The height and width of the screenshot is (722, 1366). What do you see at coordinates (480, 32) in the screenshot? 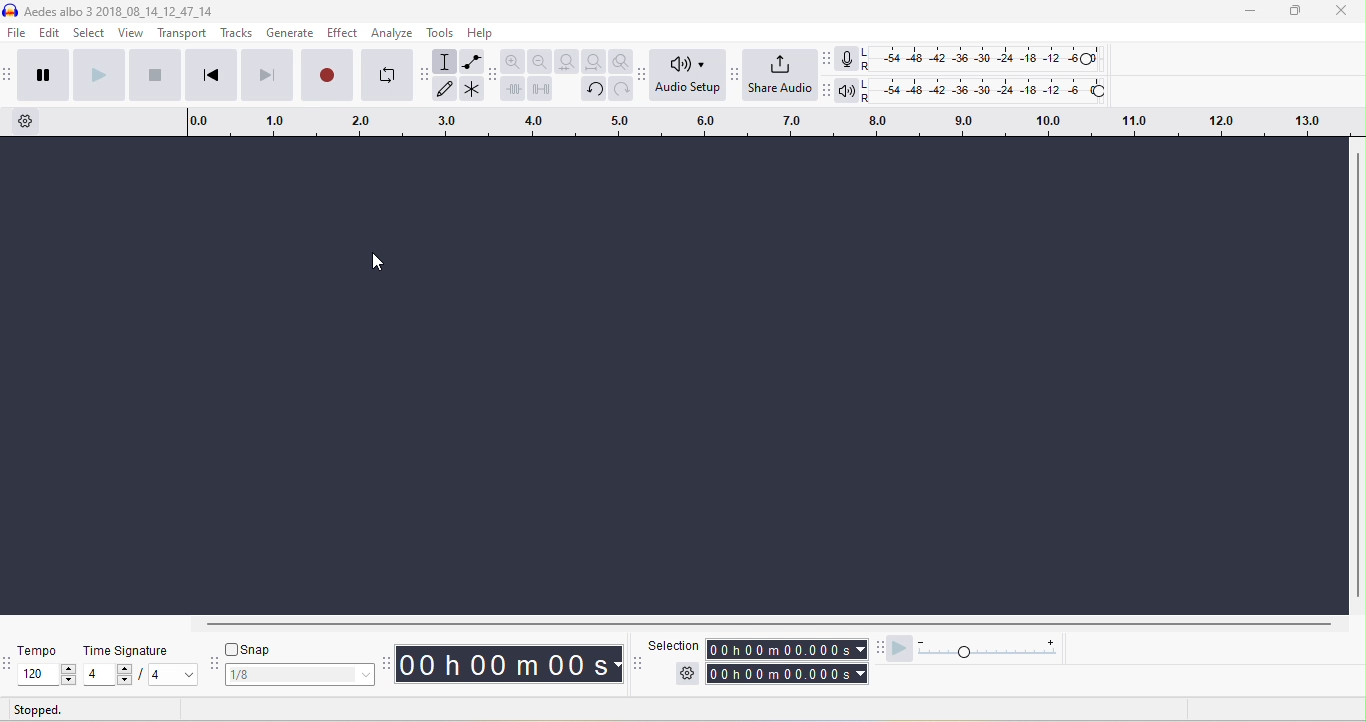
I see `help` at bounding box center [480, 32].